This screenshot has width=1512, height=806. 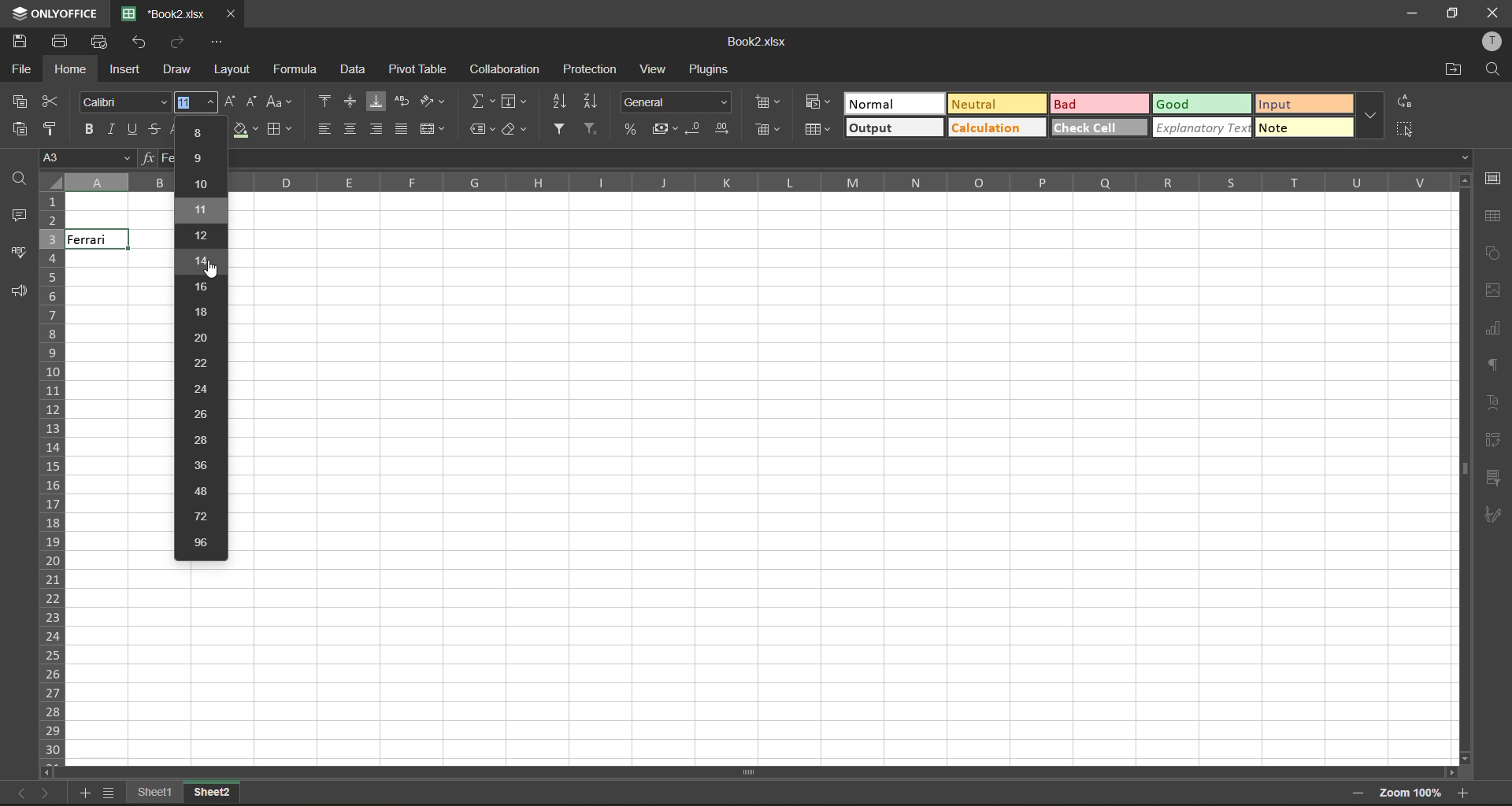 I want to click on Column A &B, so click(x=108, y=182).